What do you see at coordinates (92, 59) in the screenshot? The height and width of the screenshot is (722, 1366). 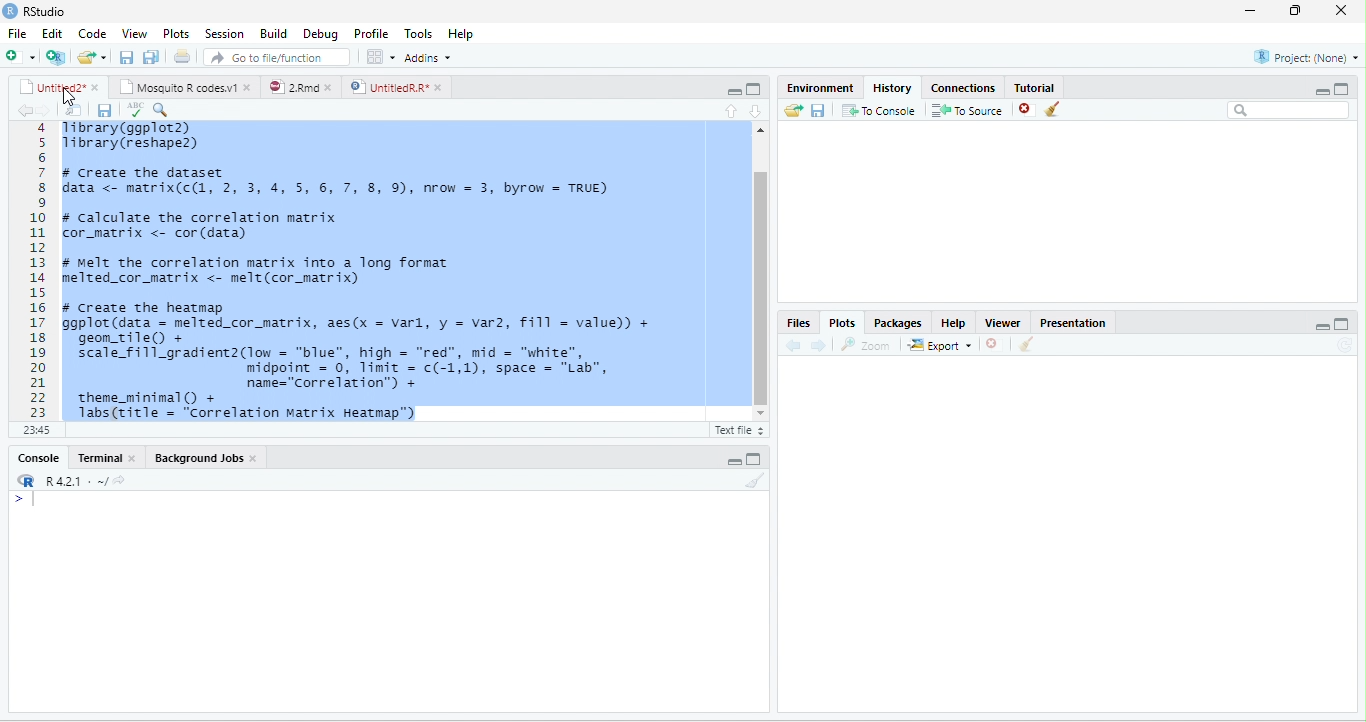 I see `end file` at bounding box center [92, 59].